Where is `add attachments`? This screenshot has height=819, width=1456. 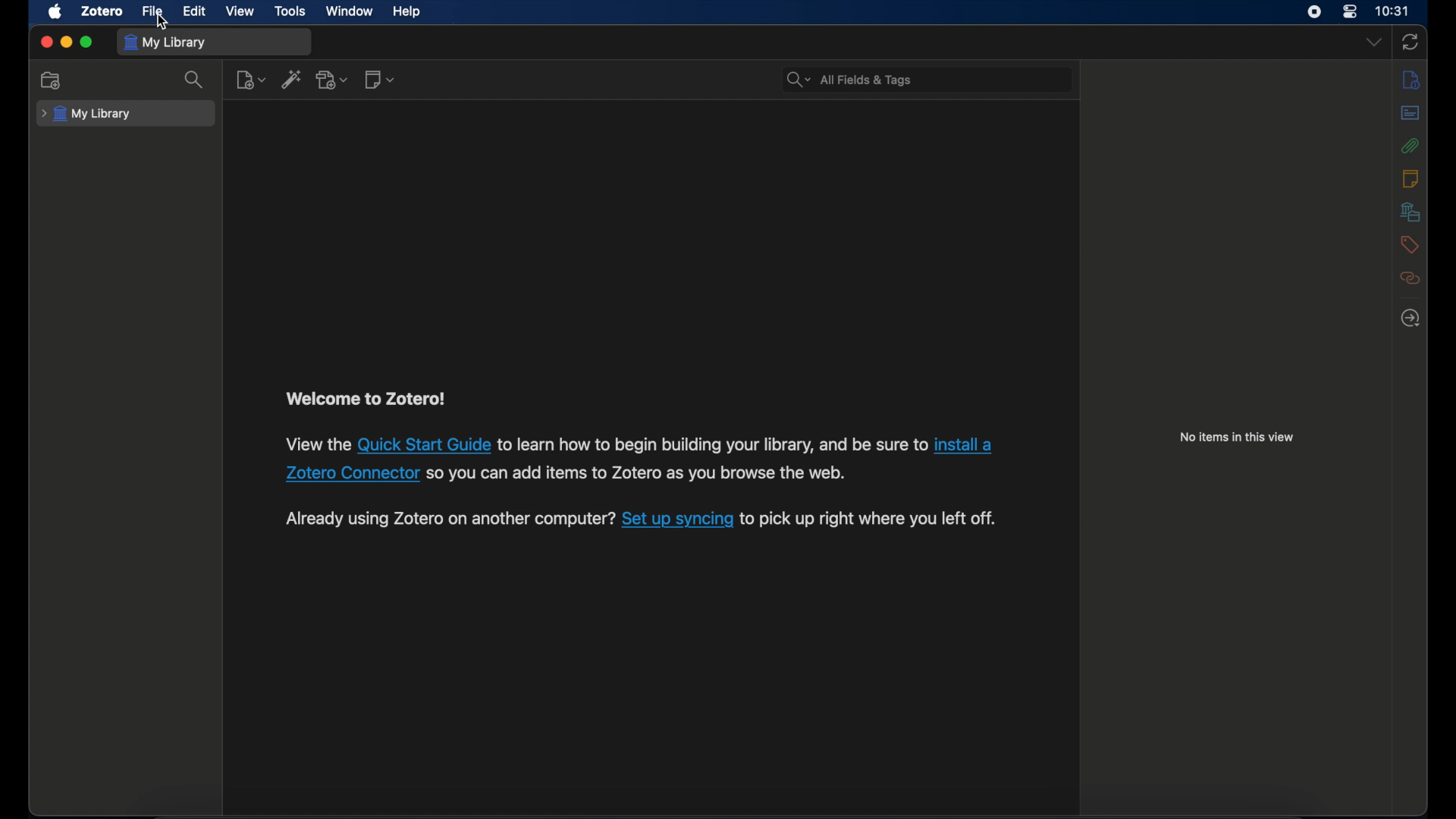
add attachments is located at coordinates (333, 80).